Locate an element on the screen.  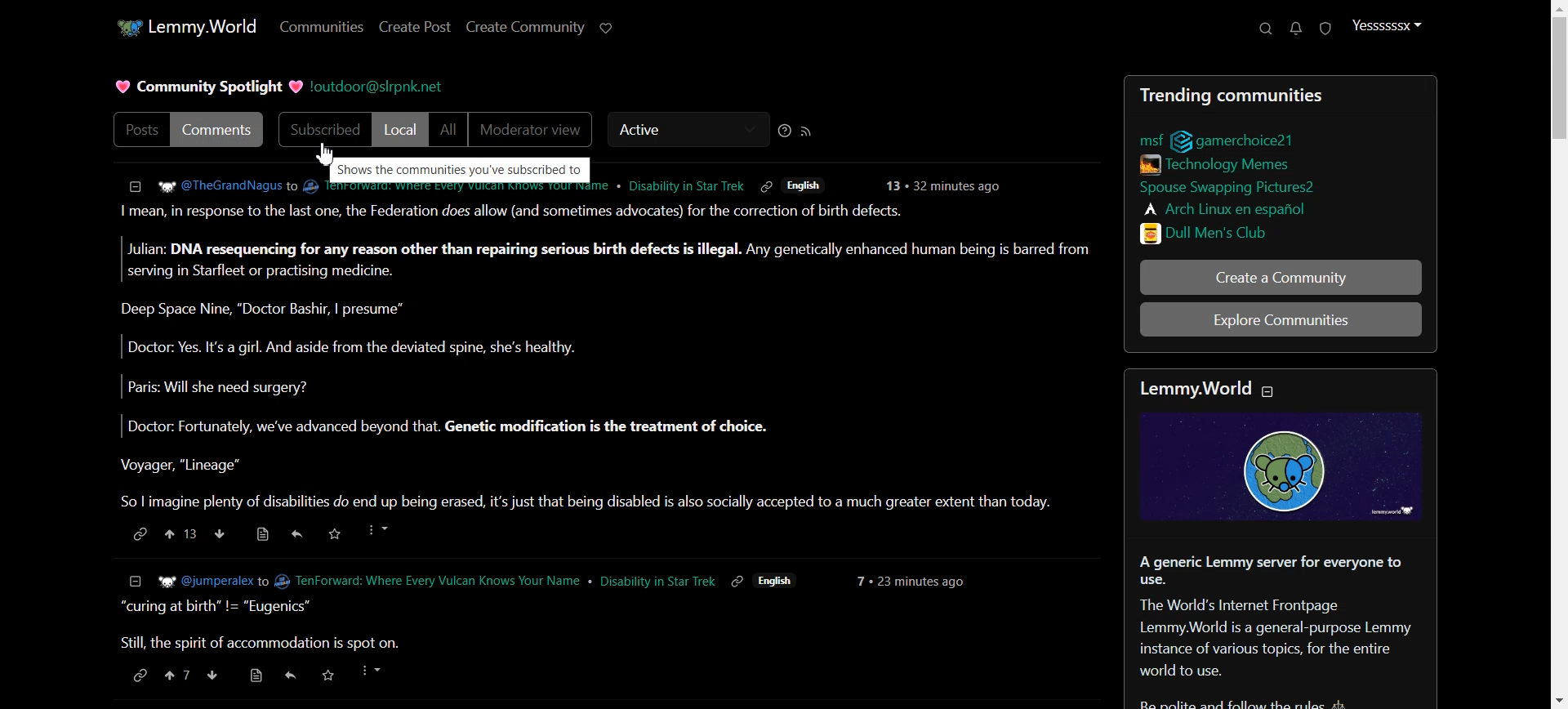
Support Lemmy is located at coordinates (607, 27).